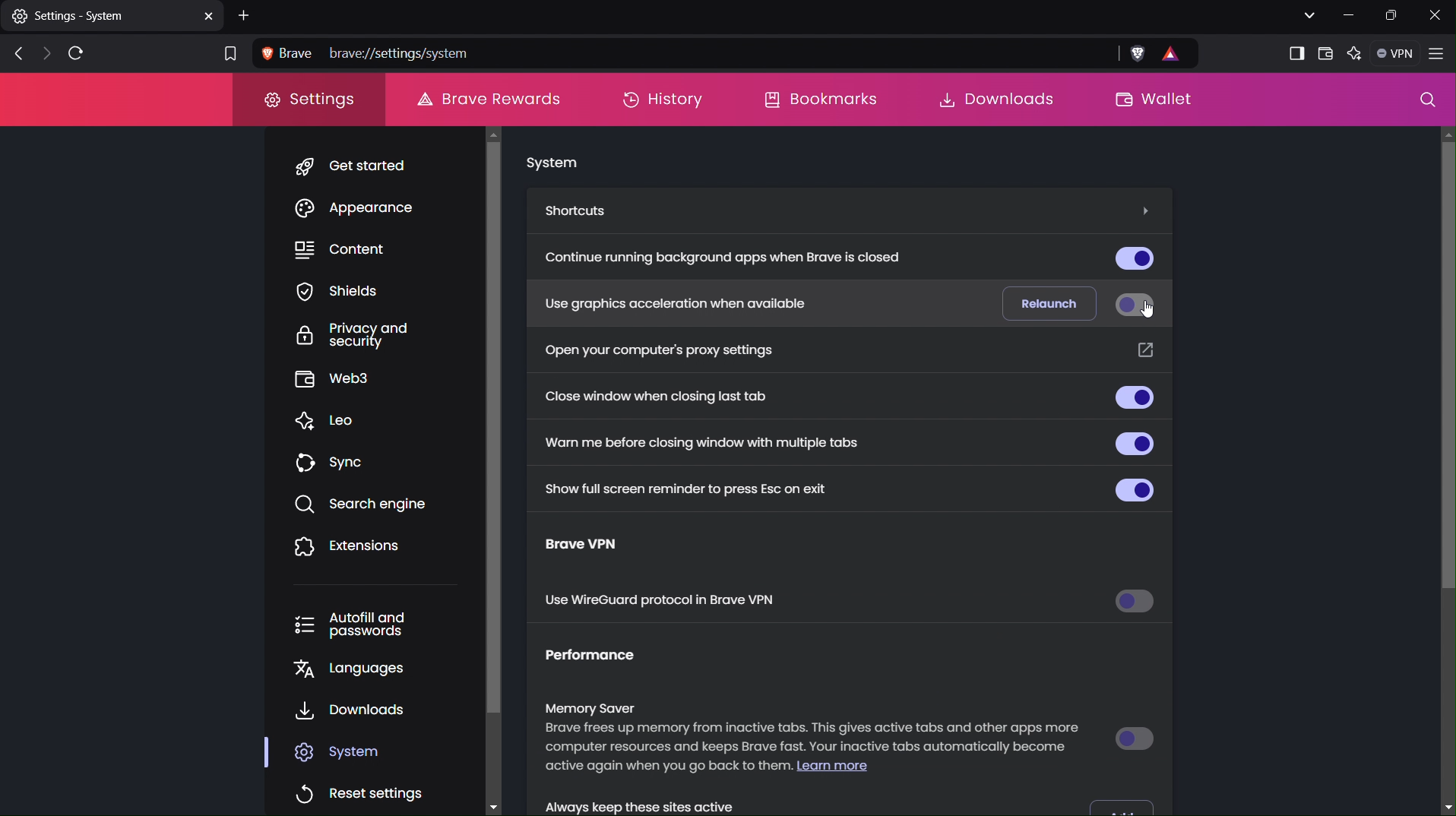  What do you see at coordinates (112, 15) in the screenshot?
I see `New Tab` at bounding box center [112, 15].